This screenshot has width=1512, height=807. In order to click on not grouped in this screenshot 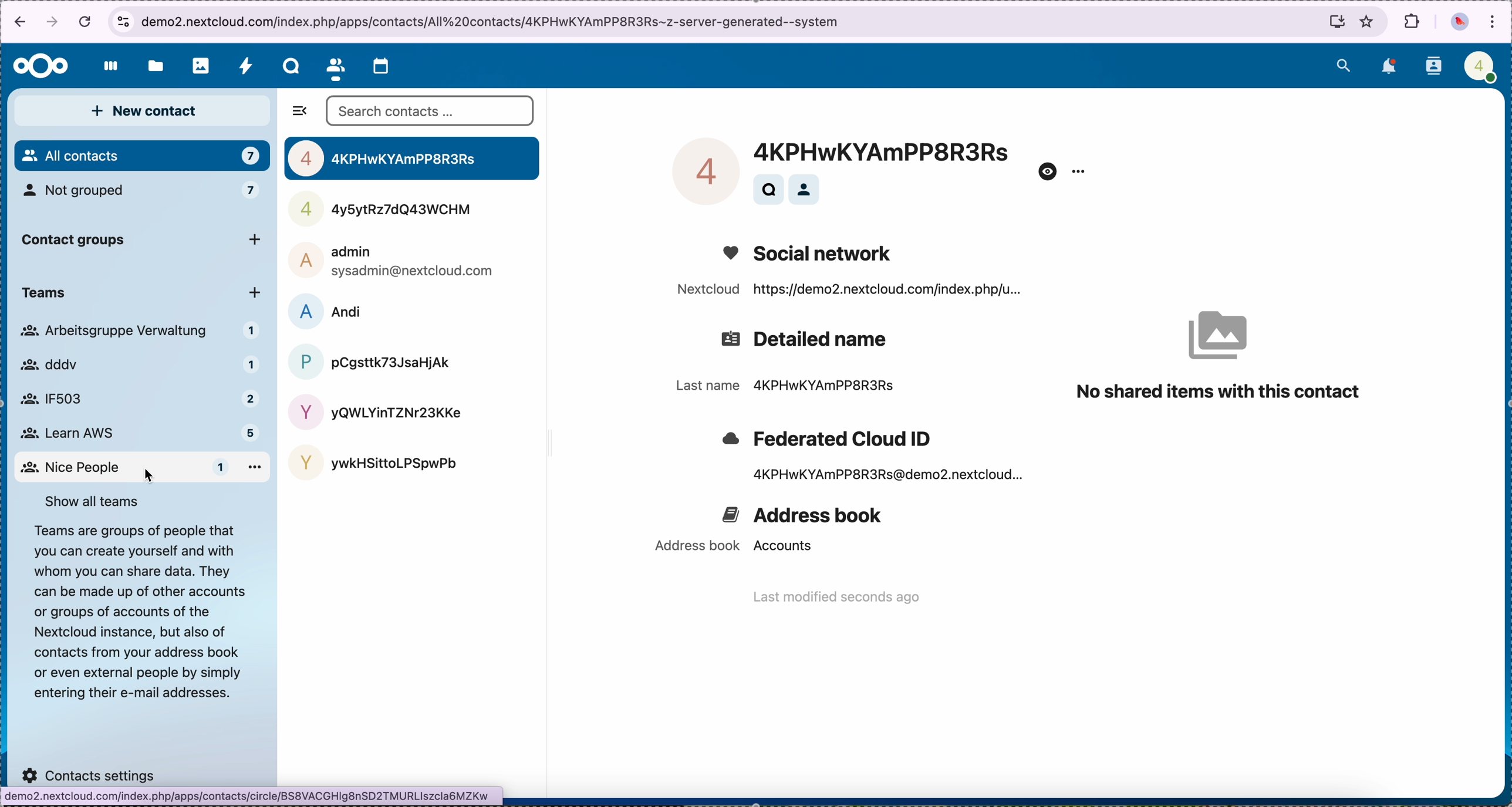, I will do `click(144, 193)`.